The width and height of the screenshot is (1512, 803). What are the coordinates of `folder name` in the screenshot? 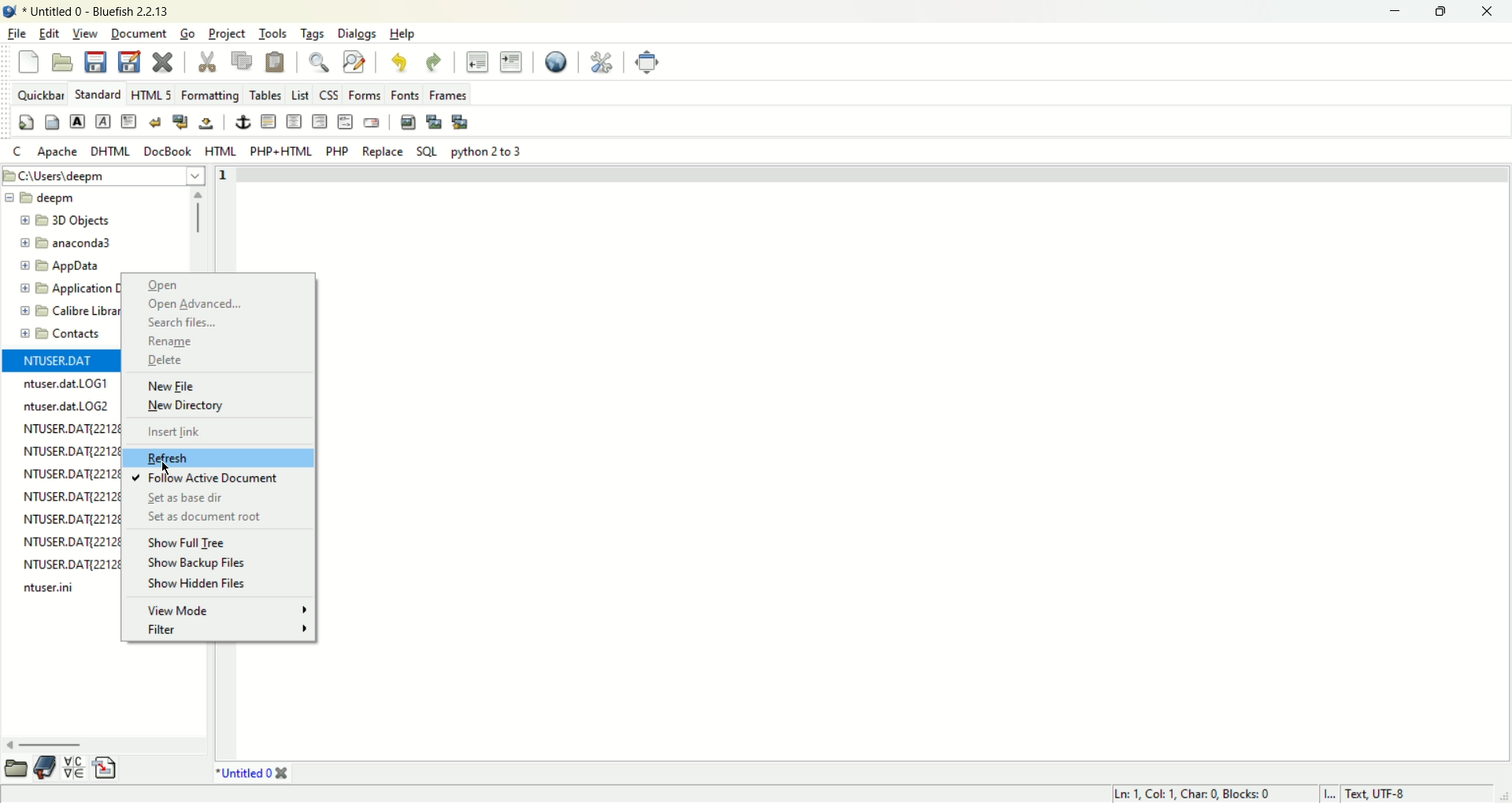 It's located at (82, 266).